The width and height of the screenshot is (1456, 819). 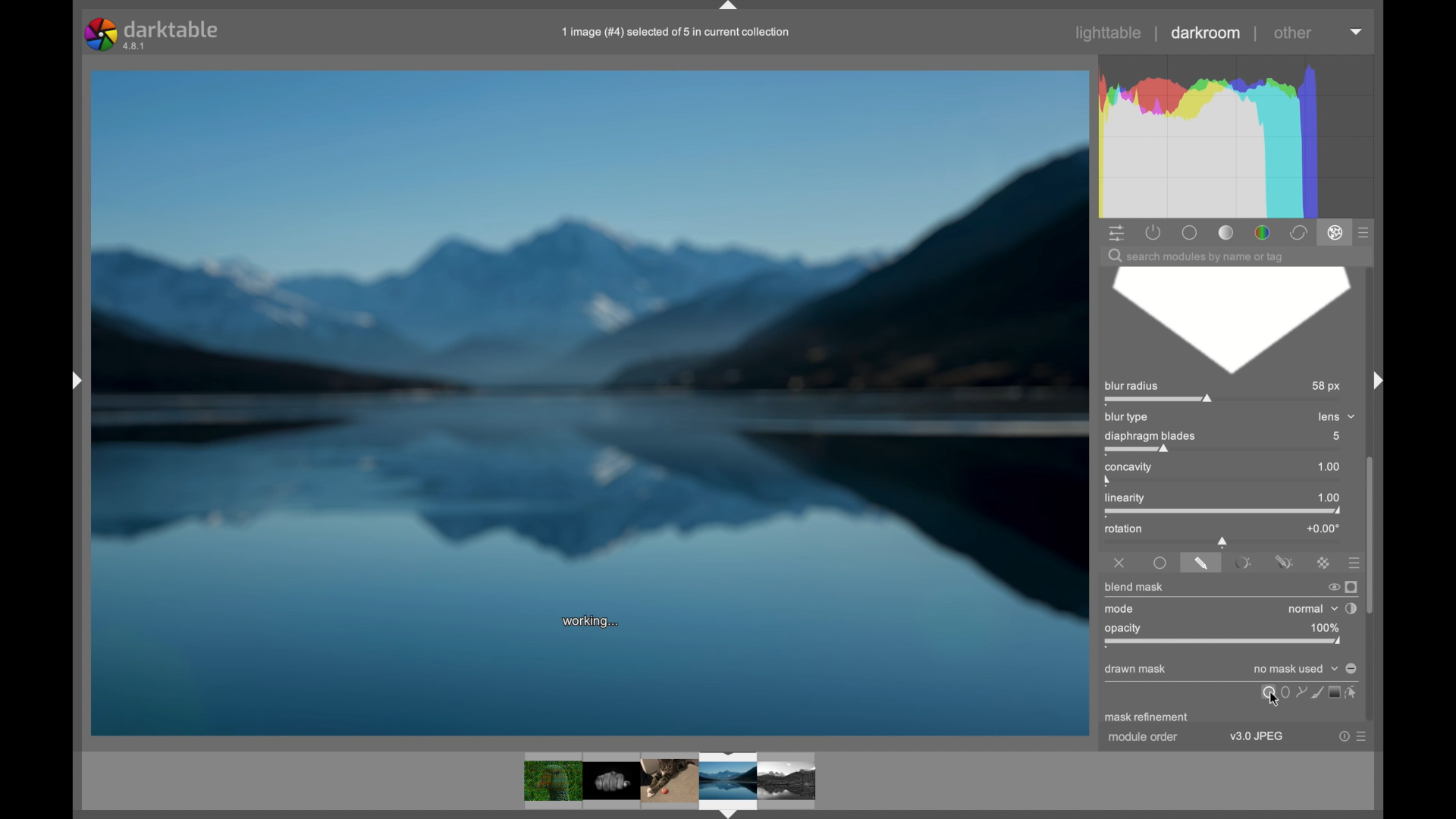 What do you see at coordinates (1350, 561) in the screenshot?
I see `presets` at bounding box center [1350, 561].